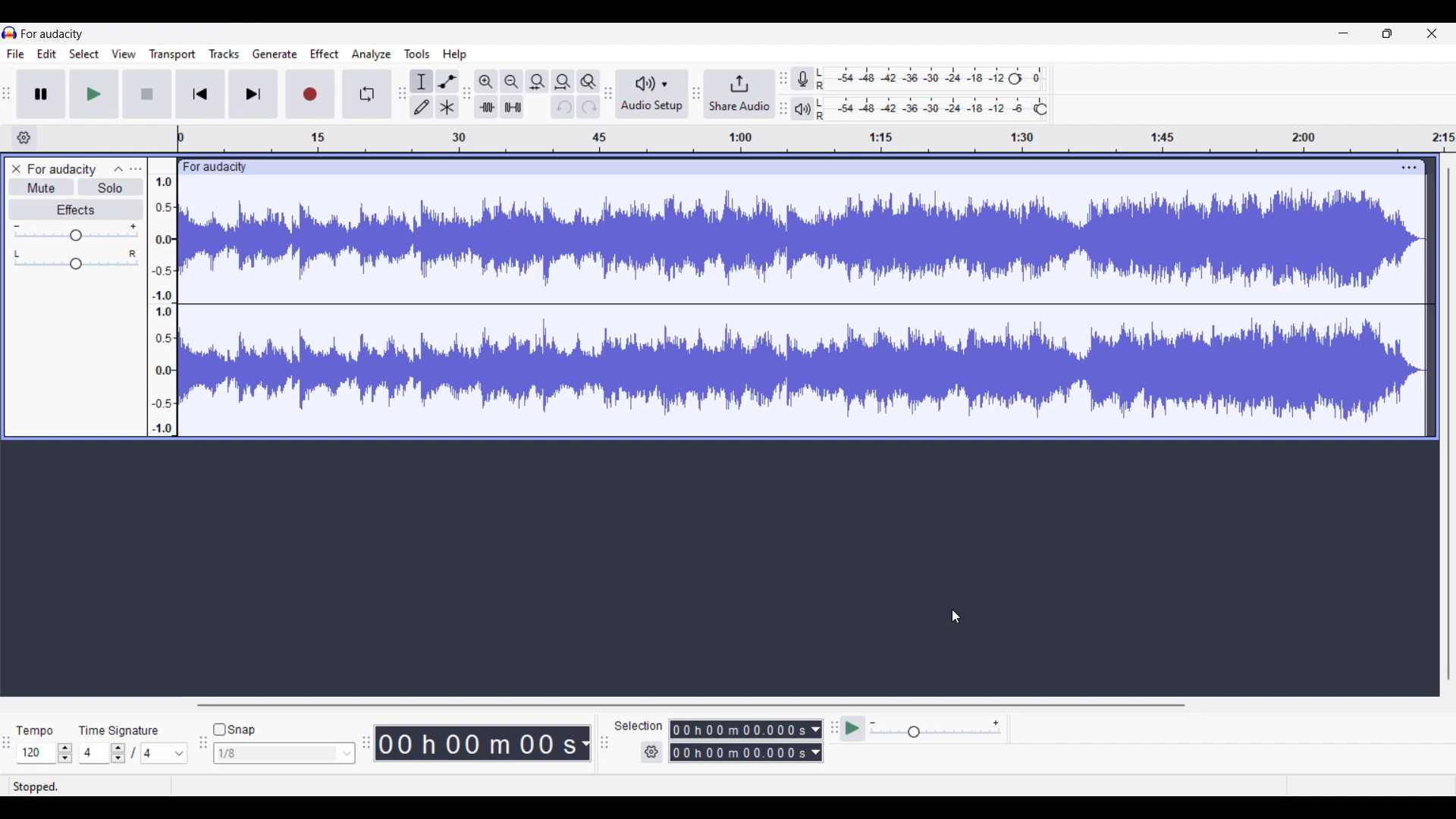  What do you see at coordinates (483, 743) in the screenshot?
I see `Current timestamp of track` at bounding box center [483, 743].